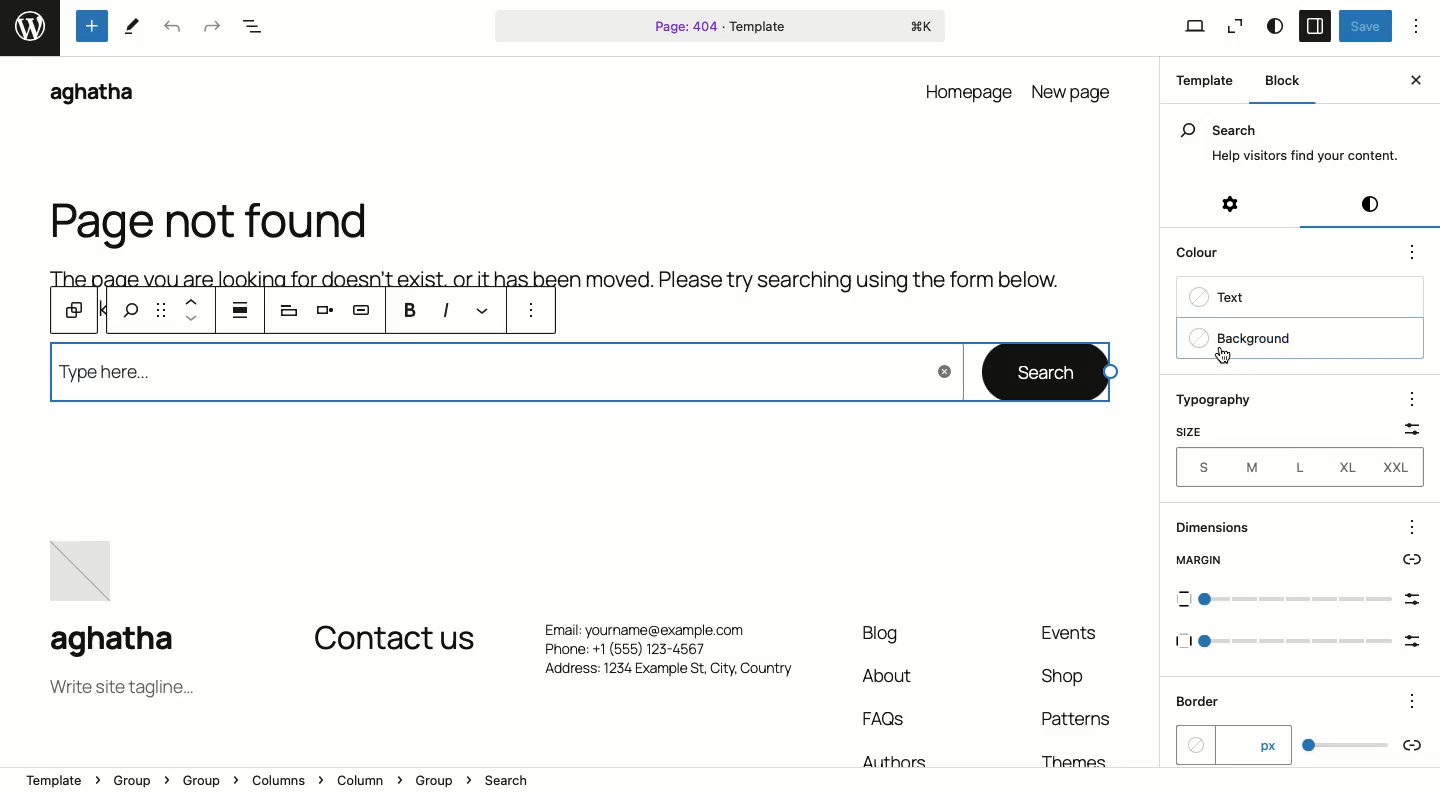 Image resolution: width=1440 pixels, height=792 pixels. What do you see at coordinates (394, 640) in the screenshot?
I see `Contact us` at bounding box center [394, 640].